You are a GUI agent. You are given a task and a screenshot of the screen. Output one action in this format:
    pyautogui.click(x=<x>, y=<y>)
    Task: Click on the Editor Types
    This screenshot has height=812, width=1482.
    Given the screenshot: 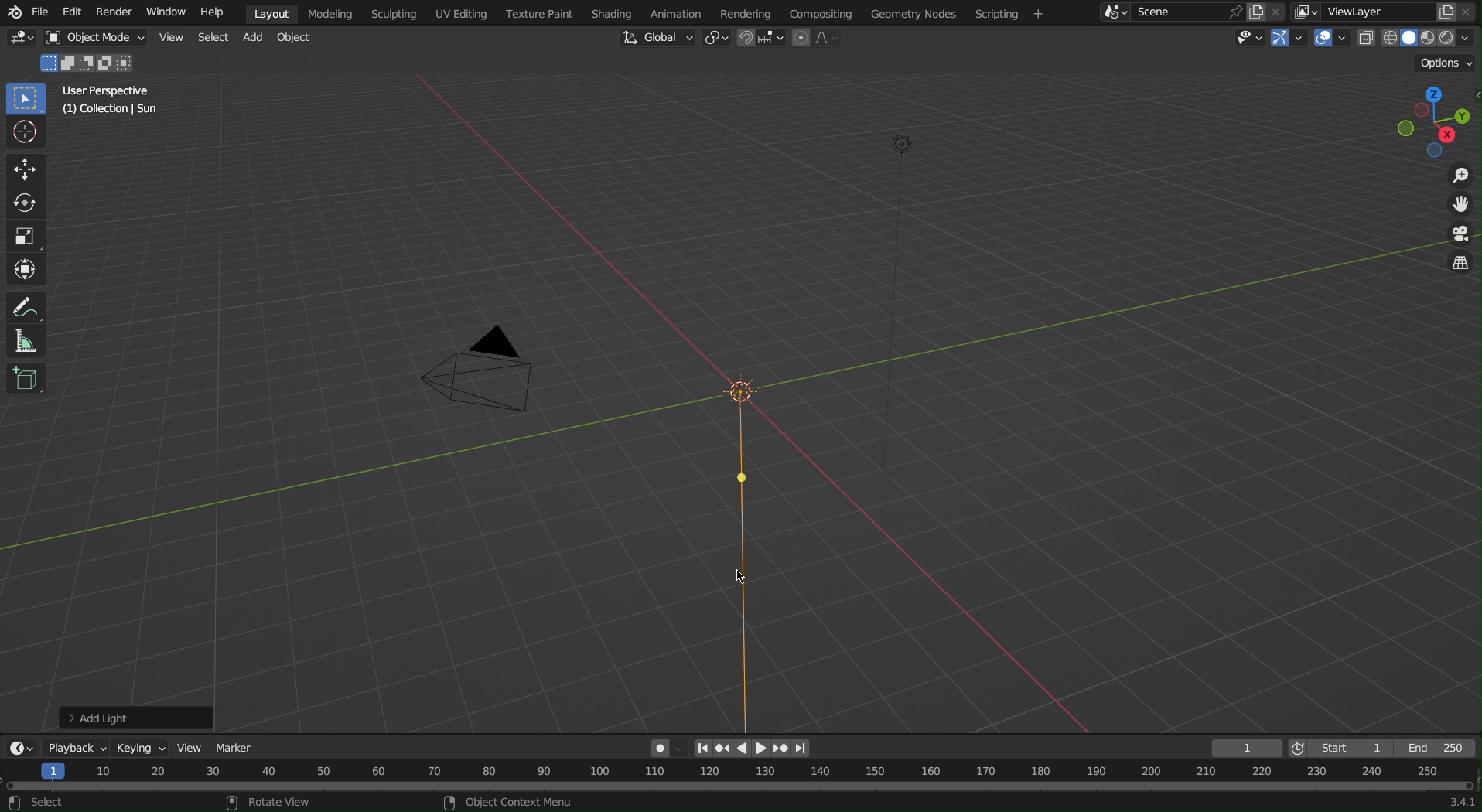 What is the action you would take?
    pyautogui.click(x=22, y=40)
    